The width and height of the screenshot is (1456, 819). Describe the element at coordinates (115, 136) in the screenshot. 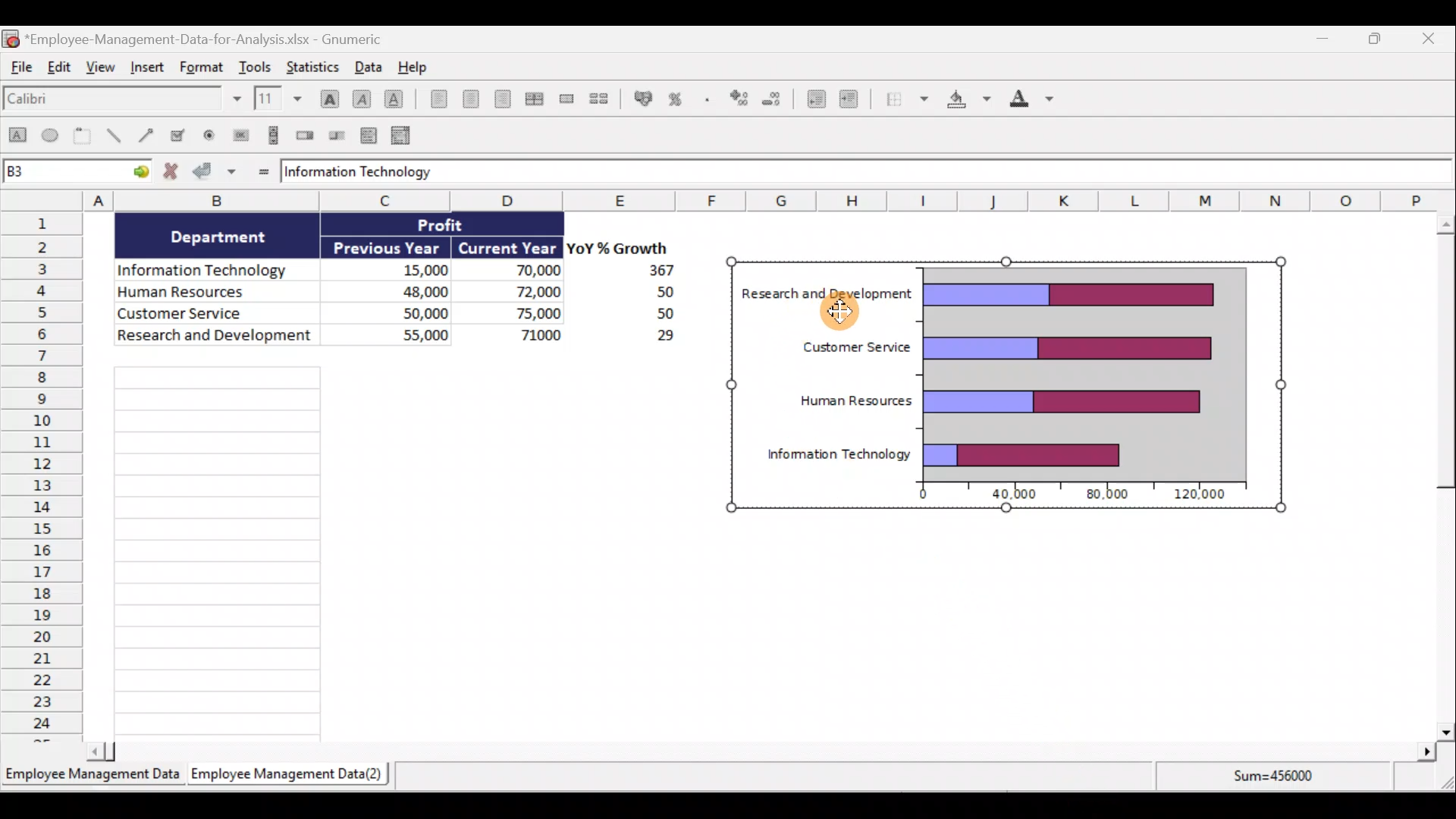

I see `Create a line object` at that location.